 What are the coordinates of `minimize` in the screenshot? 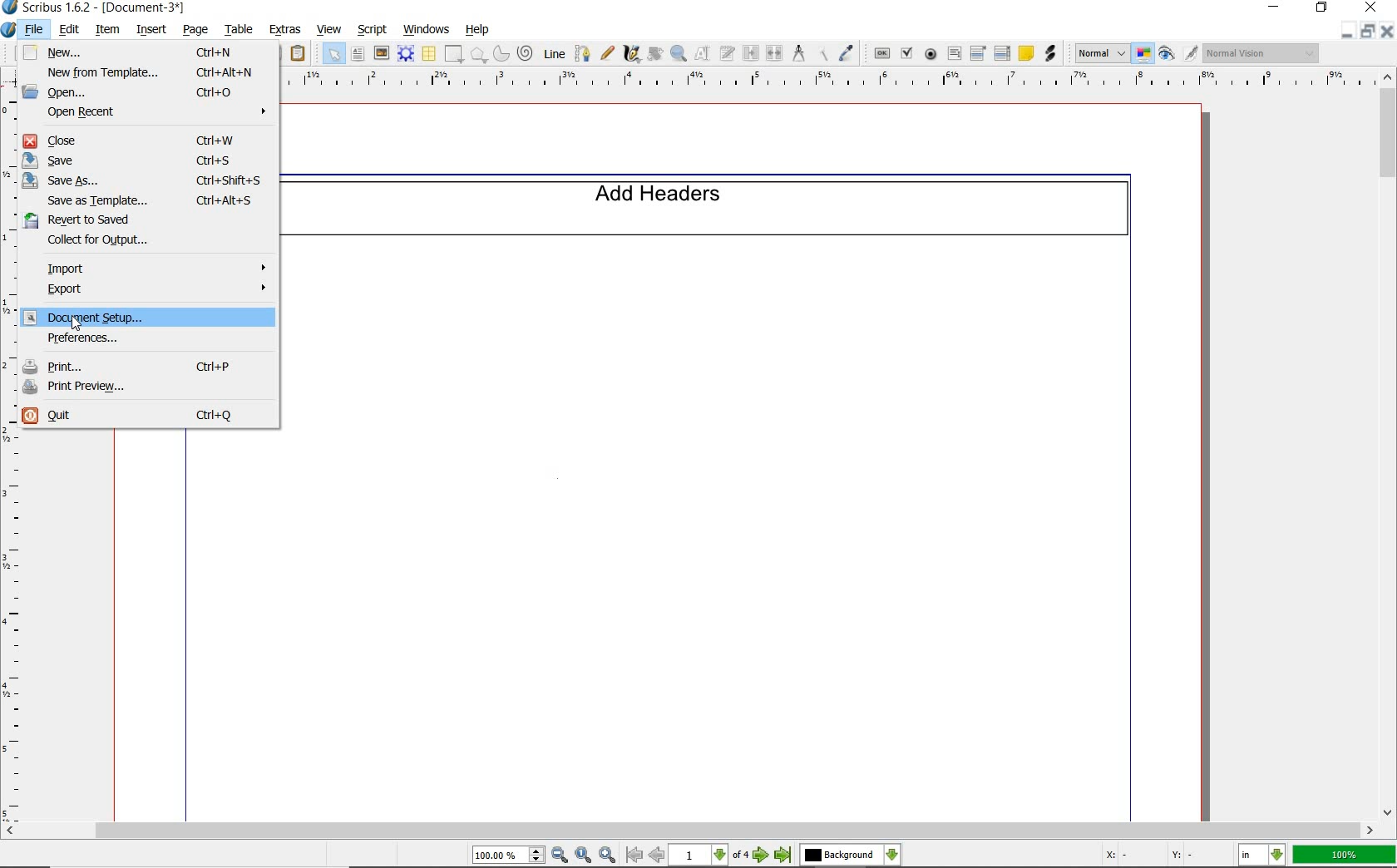 It's located at (1276, 7).